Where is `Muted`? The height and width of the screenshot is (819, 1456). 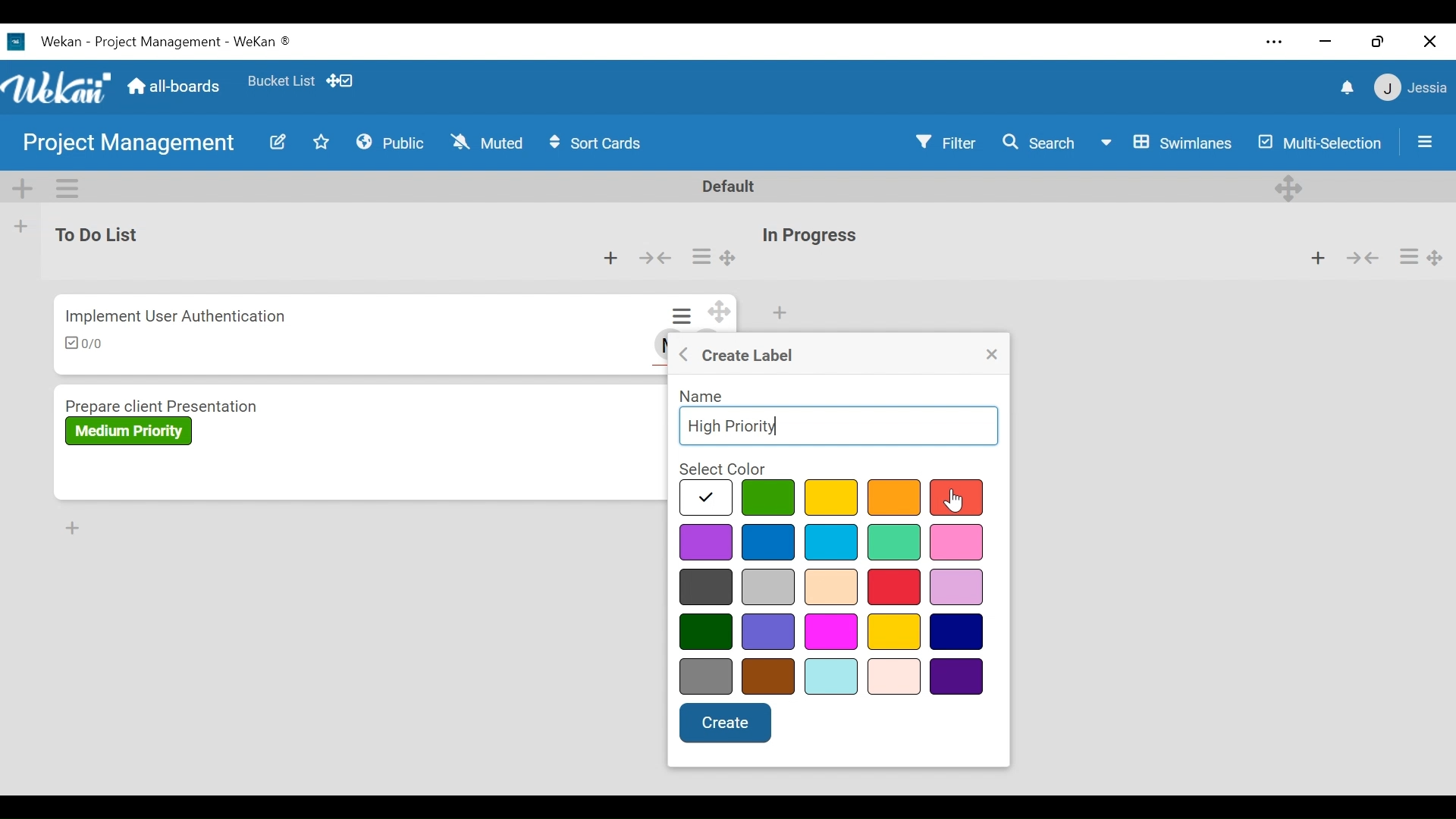
Muted is located at coordinates (486, 142).